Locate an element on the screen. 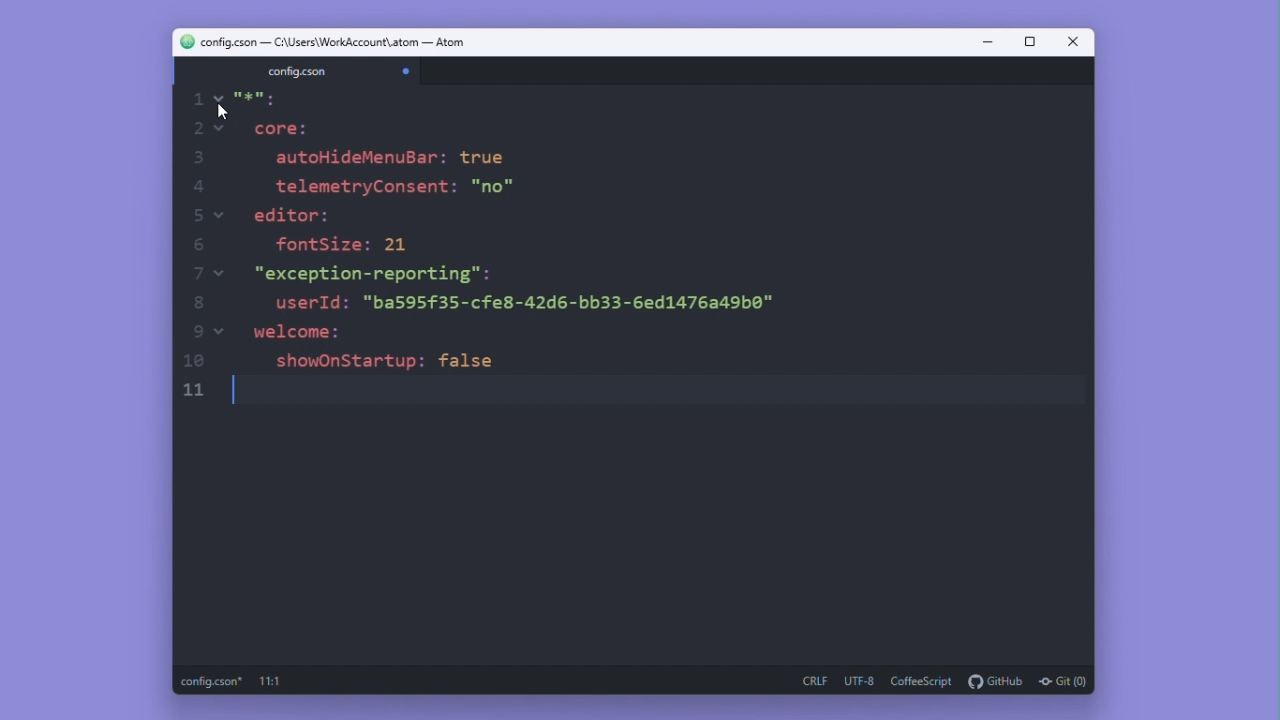 Image resolution: width=1280 pixels, height=720 pixels. minimize is located at coordinates (985, 43).